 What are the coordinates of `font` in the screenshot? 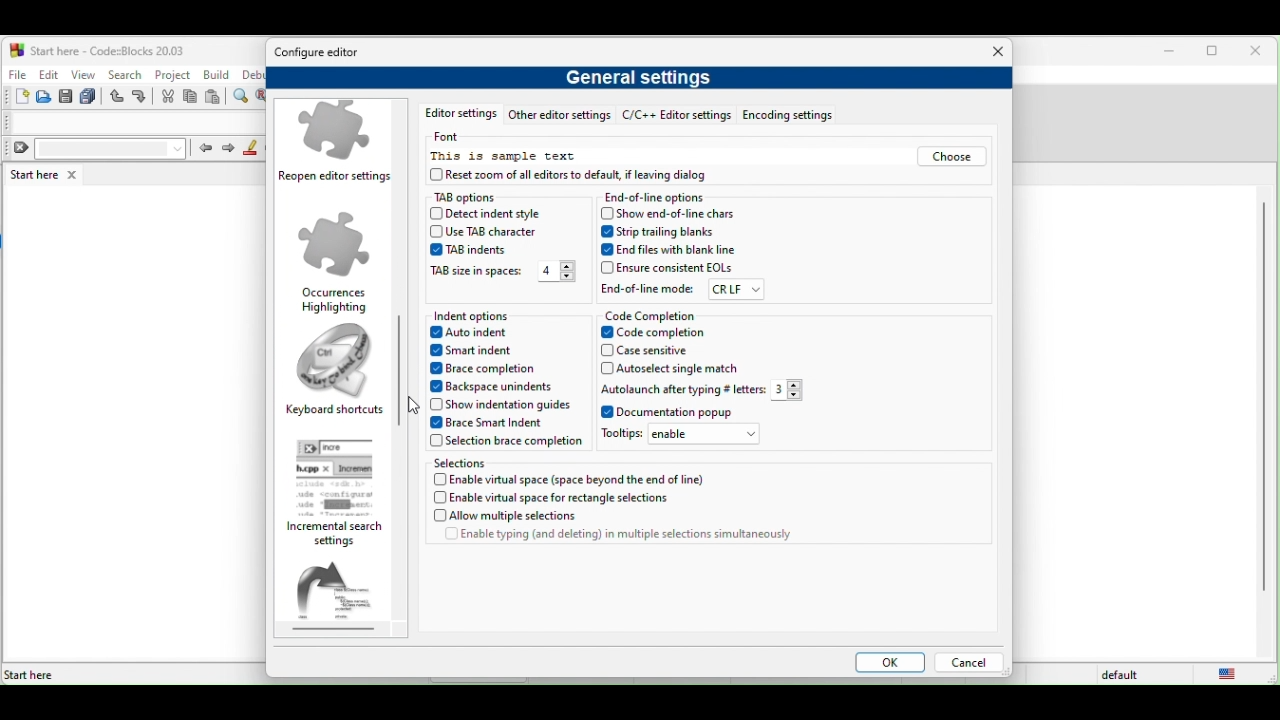 It's located at (454, 137).